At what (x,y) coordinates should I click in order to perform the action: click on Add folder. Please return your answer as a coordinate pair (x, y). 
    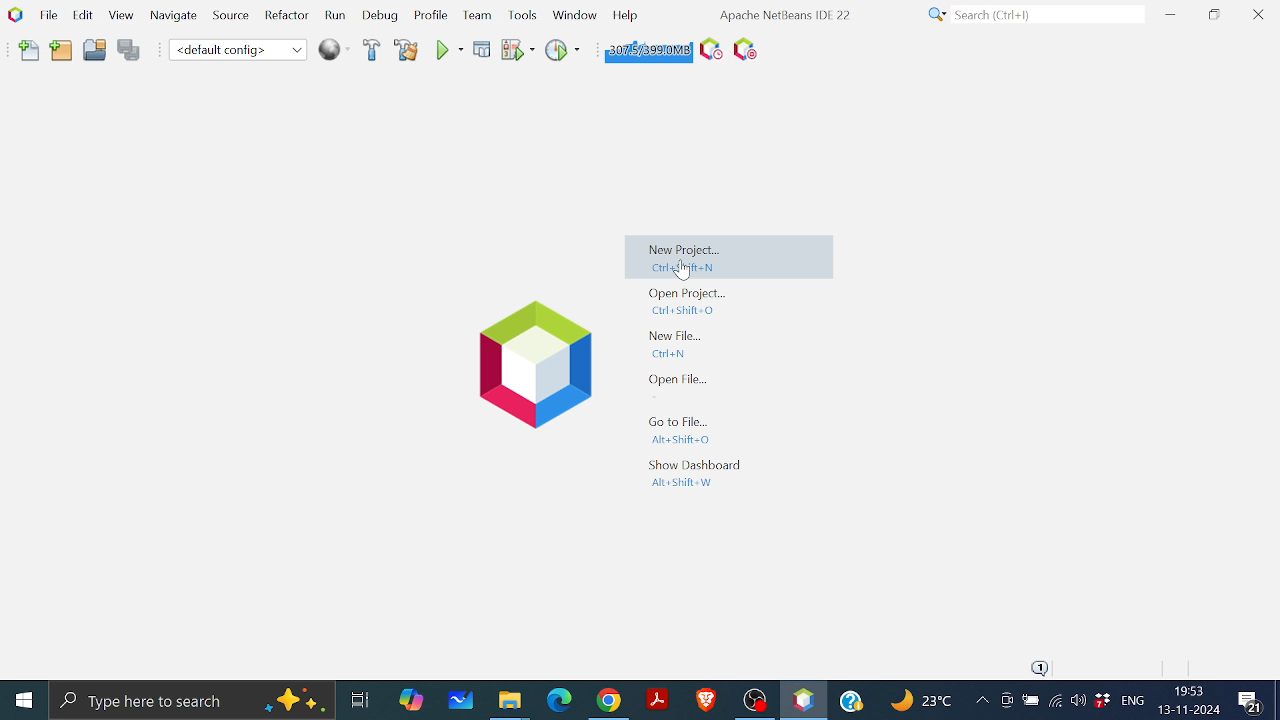
    Looking at the image, I should click on (62, 52).